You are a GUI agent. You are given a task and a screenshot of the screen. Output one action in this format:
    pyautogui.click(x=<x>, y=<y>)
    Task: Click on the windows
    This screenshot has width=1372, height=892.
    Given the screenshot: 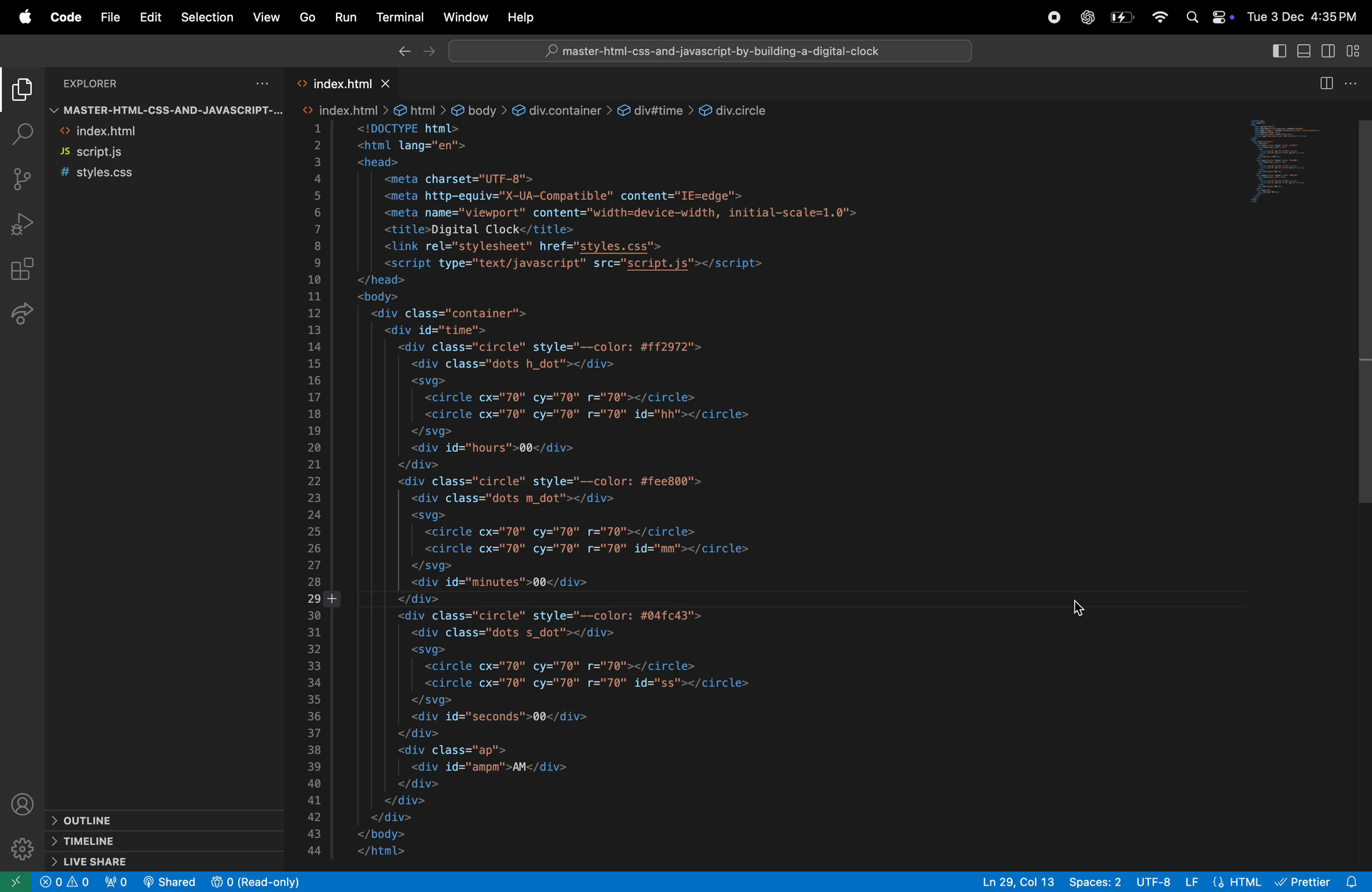 What is the action you would take?
    pyautogui.click(x=467, y=17)
    